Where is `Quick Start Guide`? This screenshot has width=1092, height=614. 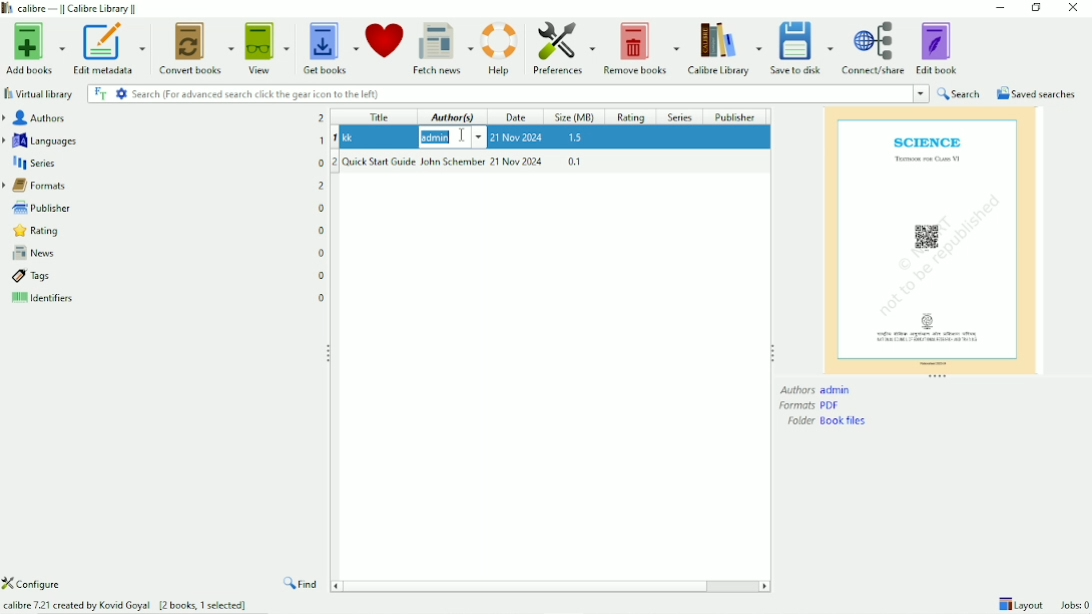
Quick Start Guide is located at coordinates (550, 162).